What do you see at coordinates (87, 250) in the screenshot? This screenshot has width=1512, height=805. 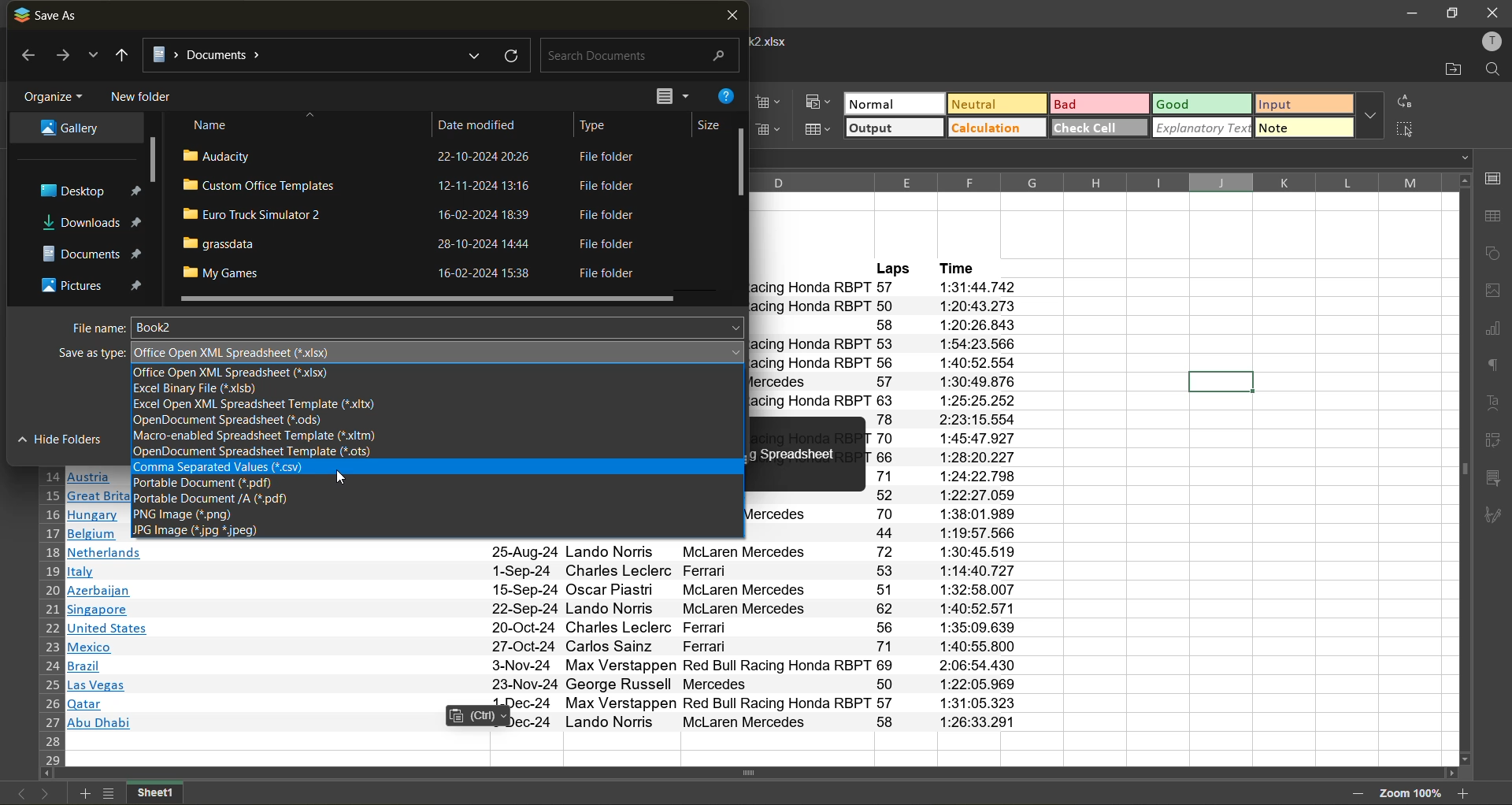 I see `folder` at bounding box center [87, 250].